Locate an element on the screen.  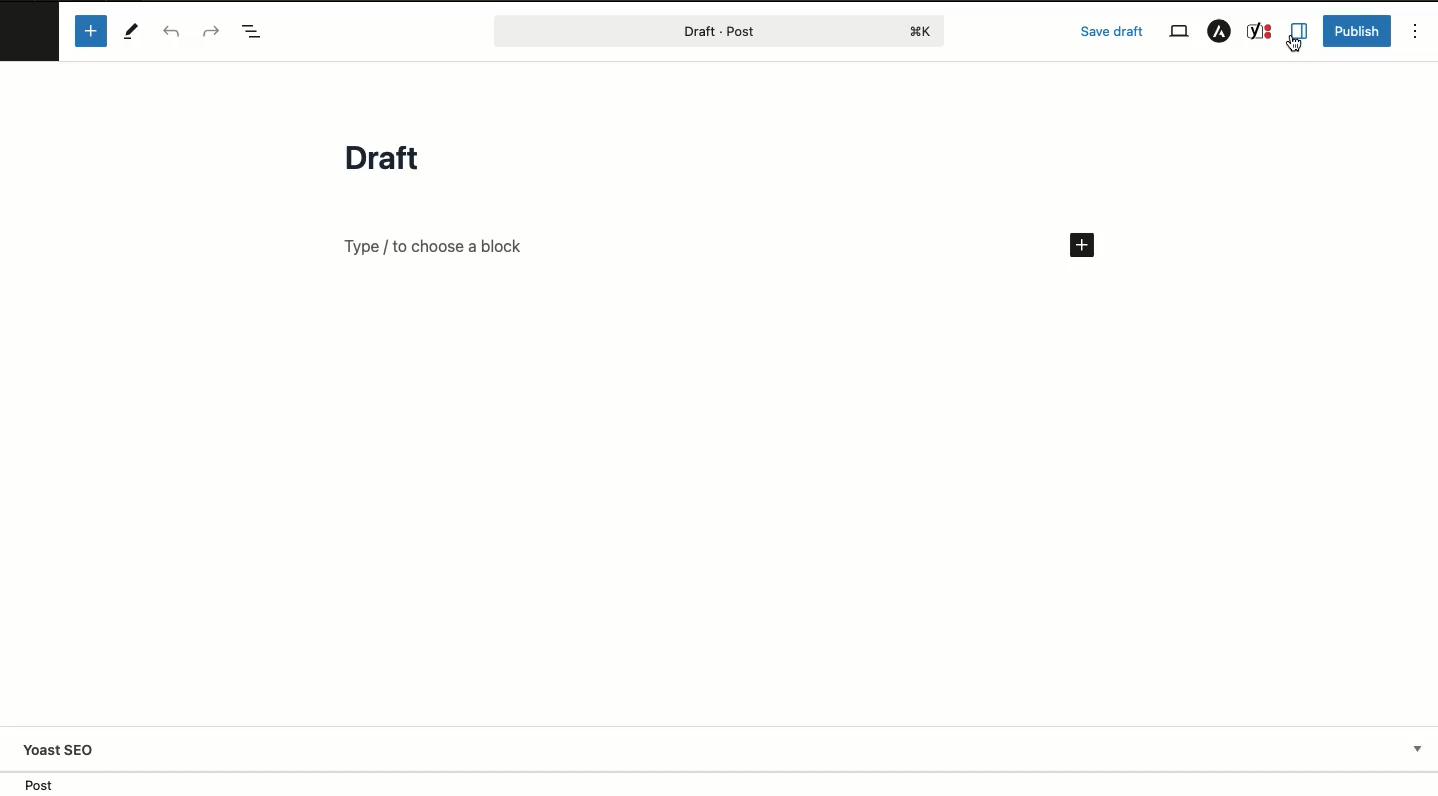
Yoast is located at coordinates (1260, 30).